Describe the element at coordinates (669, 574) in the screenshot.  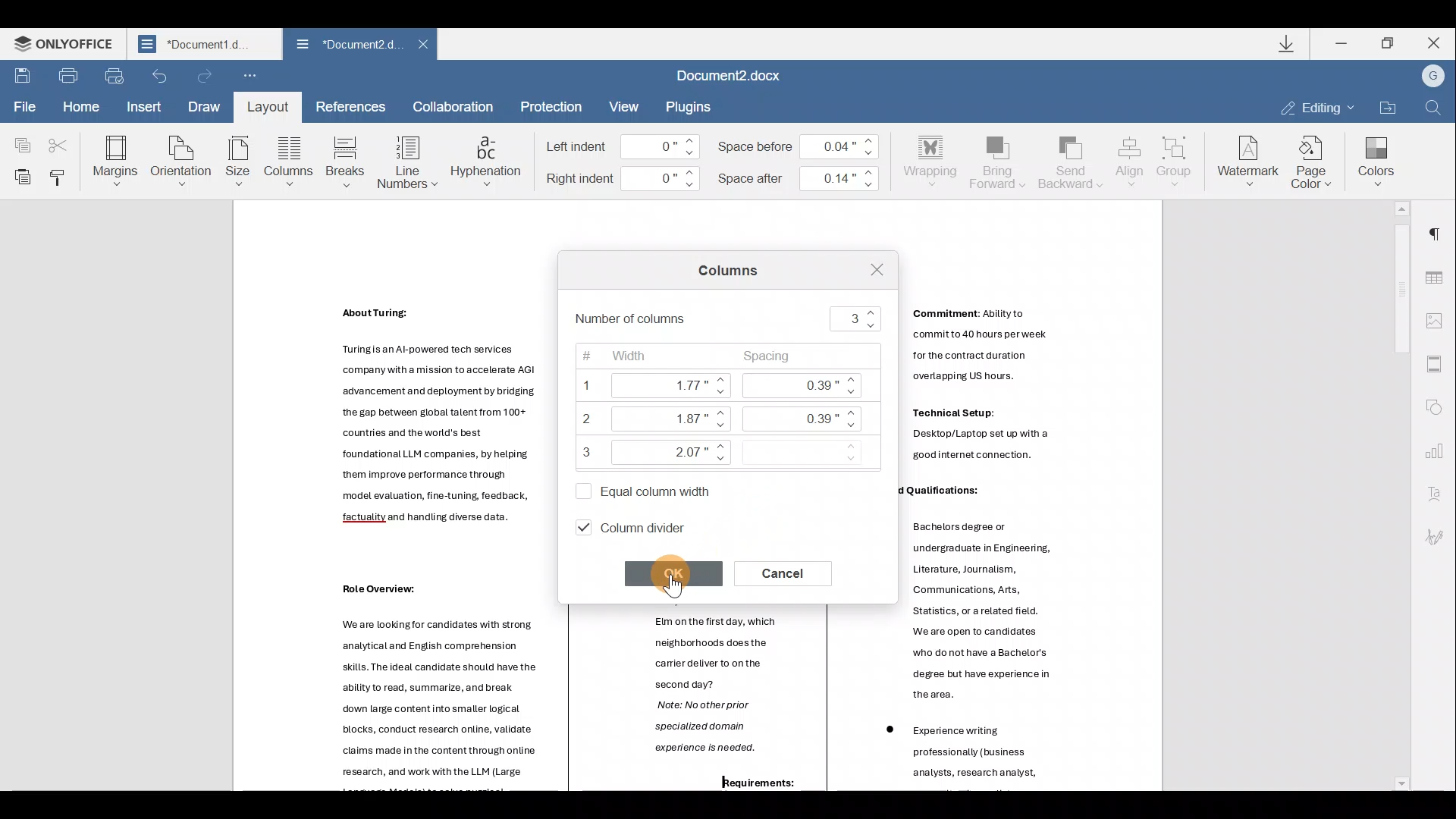
I see `Cursor` at that location.